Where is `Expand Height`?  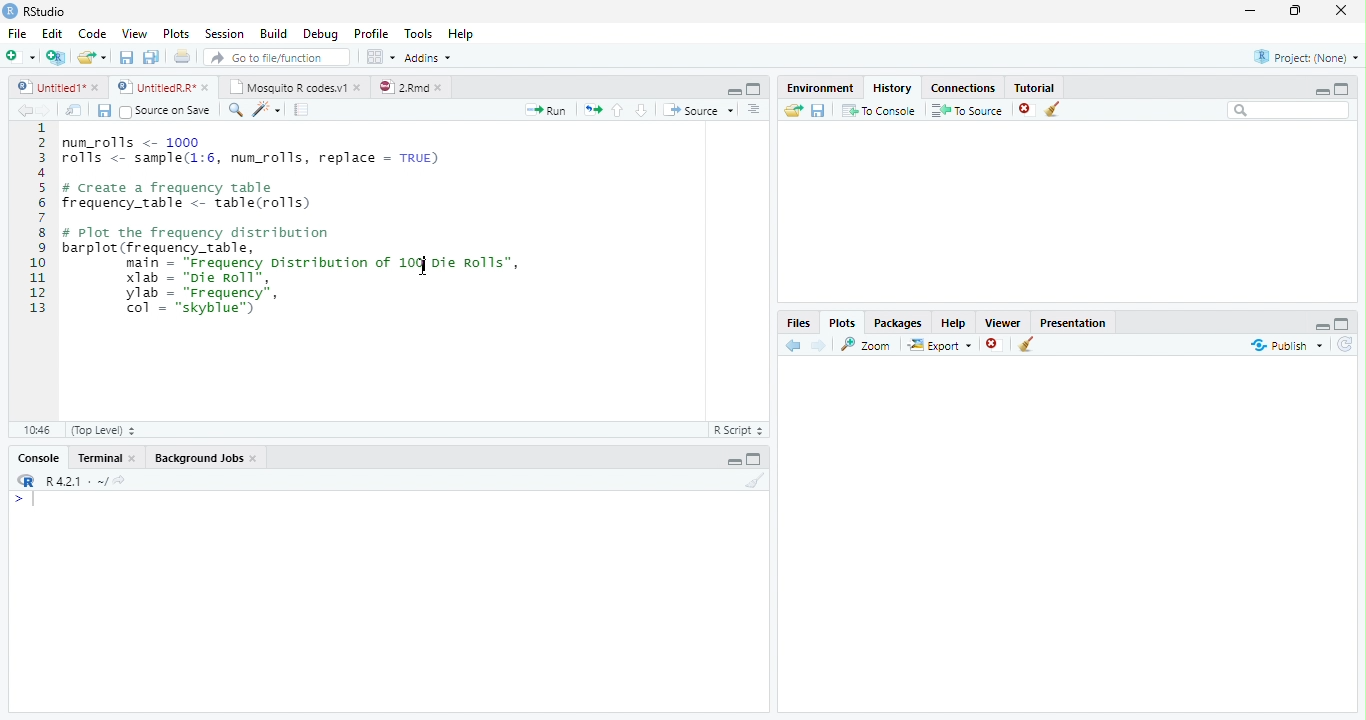 Expand Height is located at coordinates (755, 459).